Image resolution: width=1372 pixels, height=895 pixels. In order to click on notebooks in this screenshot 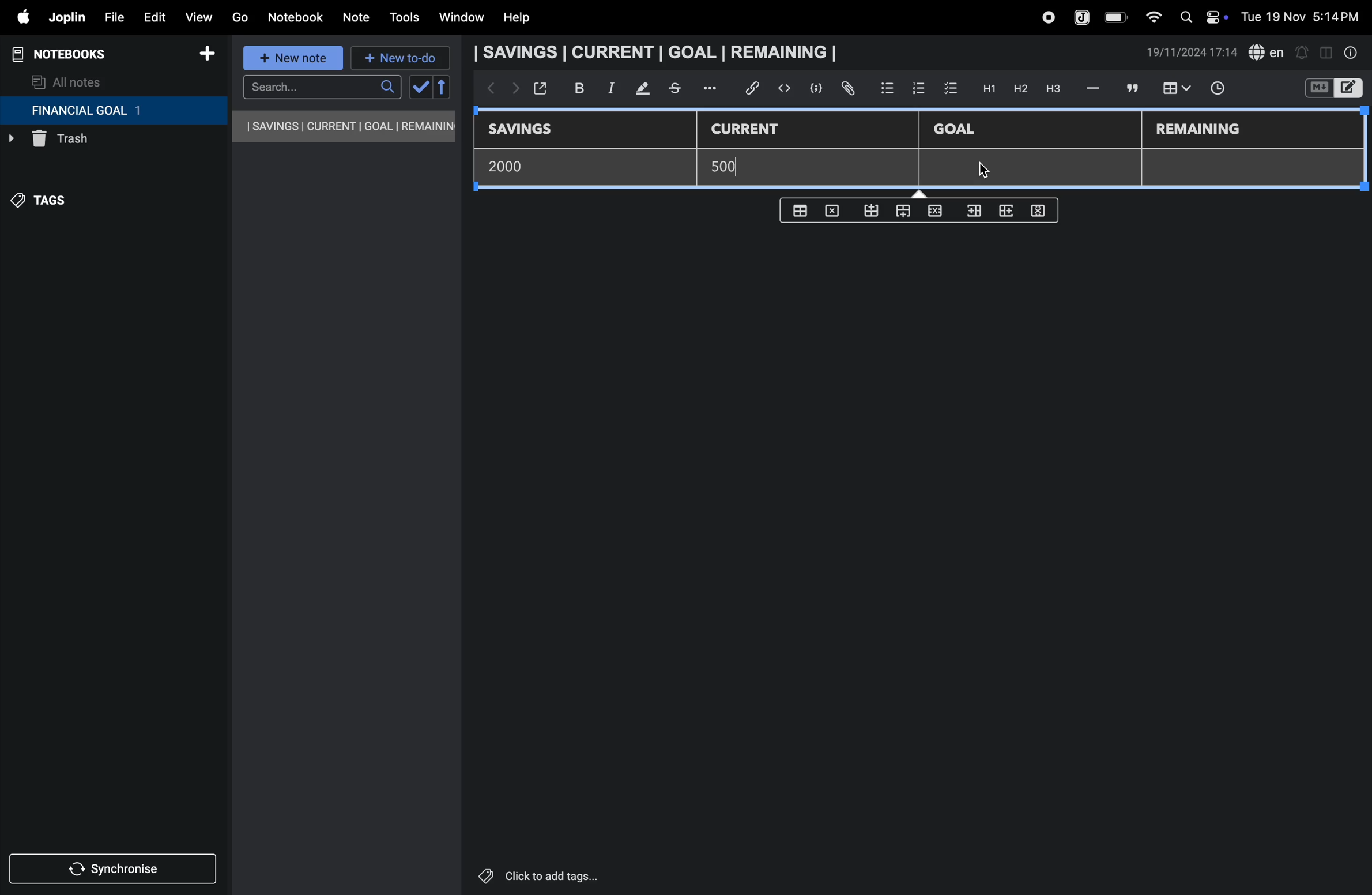, I will do `click(69, 54)`.